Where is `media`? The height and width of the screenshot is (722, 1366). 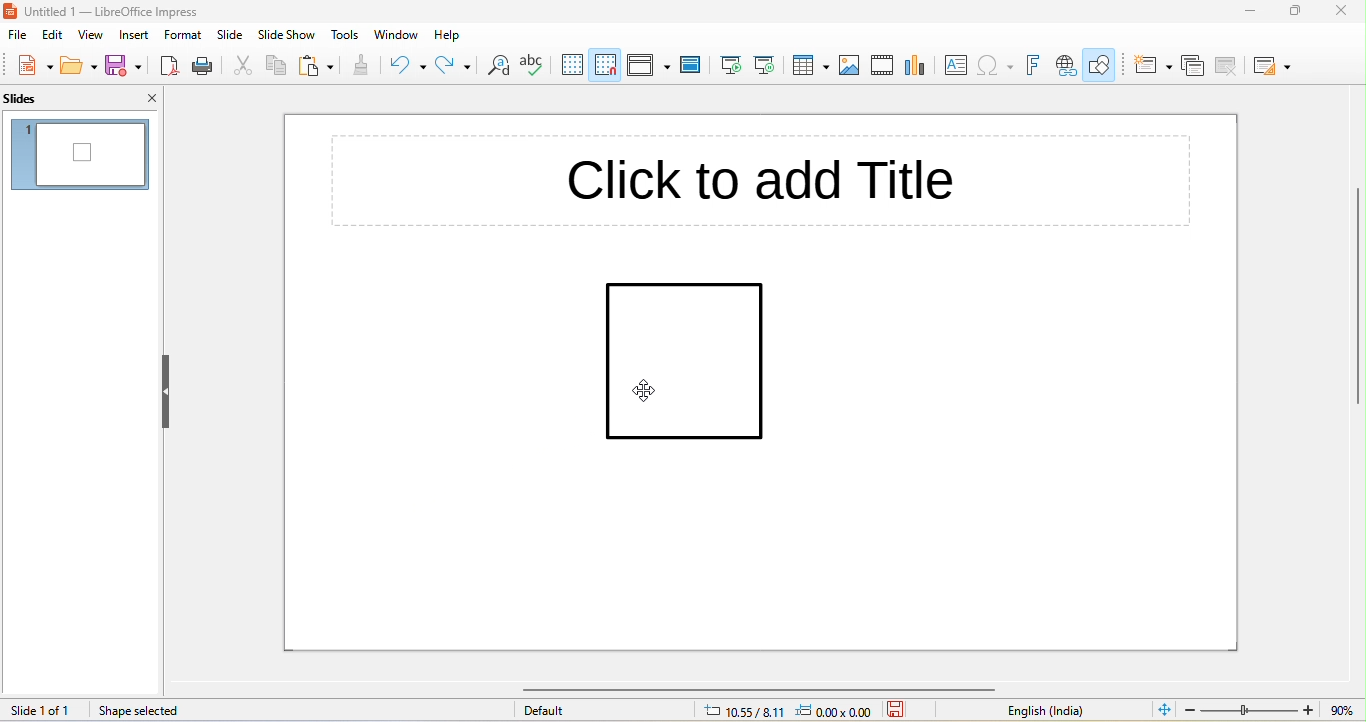
media is located at coordinates (882, 65).